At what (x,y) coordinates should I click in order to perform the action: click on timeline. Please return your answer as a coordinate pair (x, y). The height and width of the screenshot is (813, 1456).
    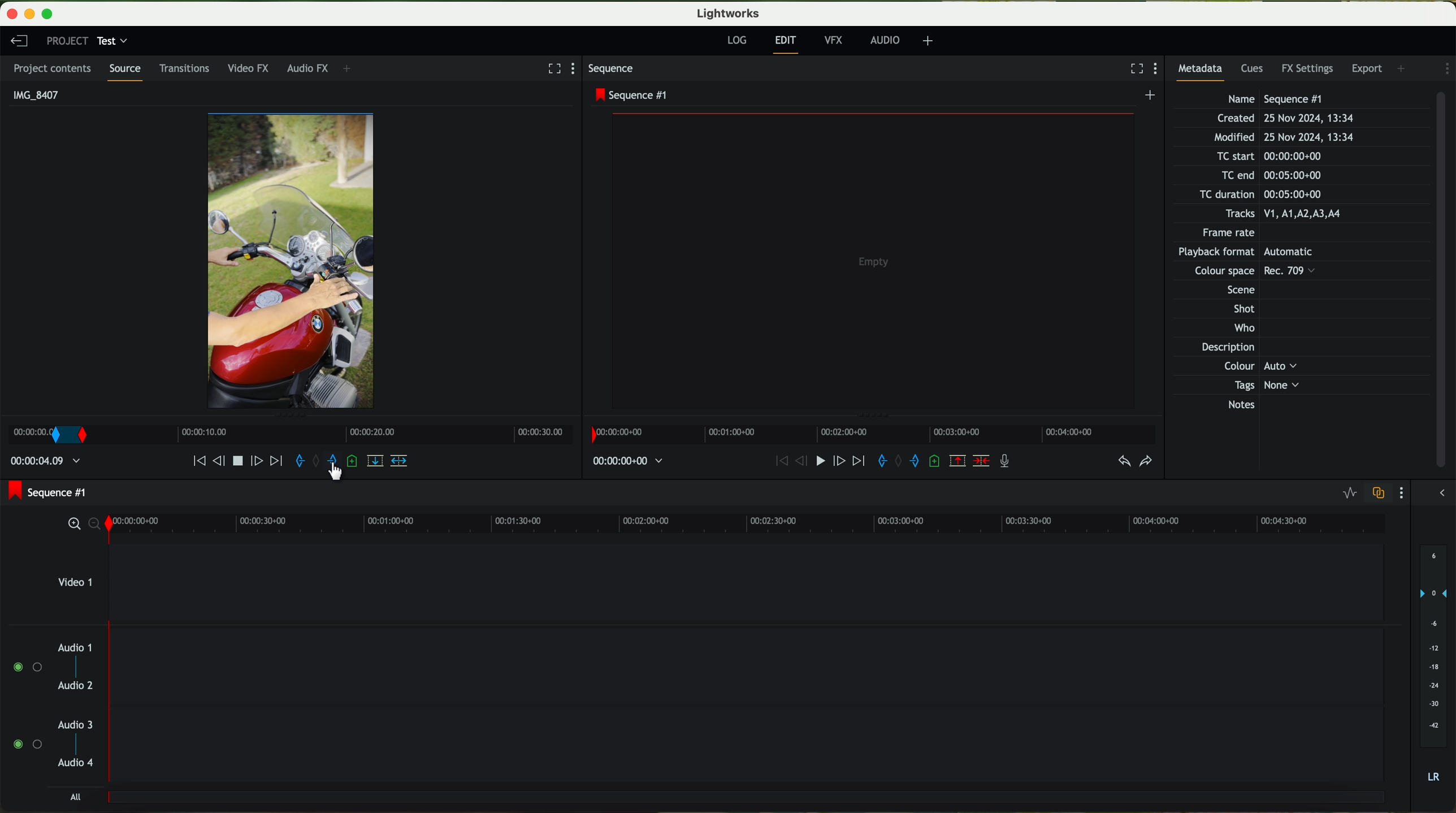
    Looking at the image, I should click on (747, 523).